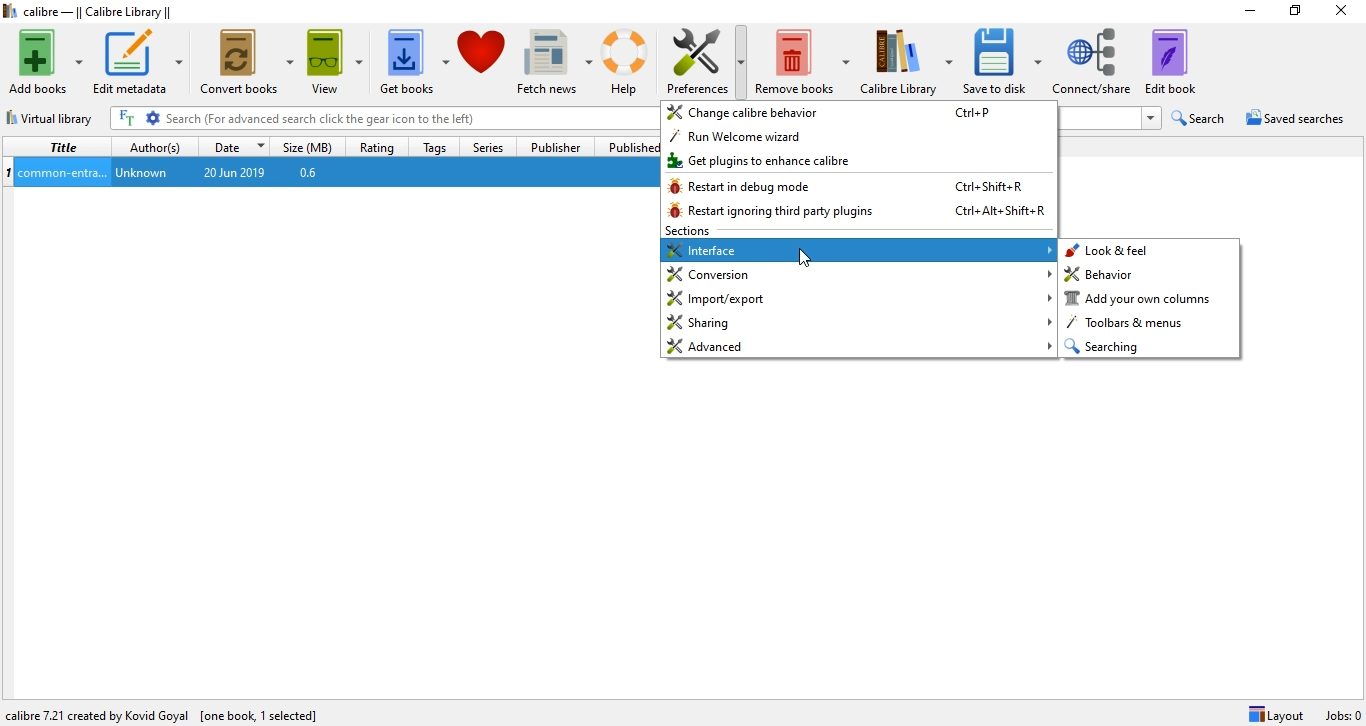 Image resolution: width=1366 pixels, height=726 pixels. I want to click on cursor, so click(803, 260).